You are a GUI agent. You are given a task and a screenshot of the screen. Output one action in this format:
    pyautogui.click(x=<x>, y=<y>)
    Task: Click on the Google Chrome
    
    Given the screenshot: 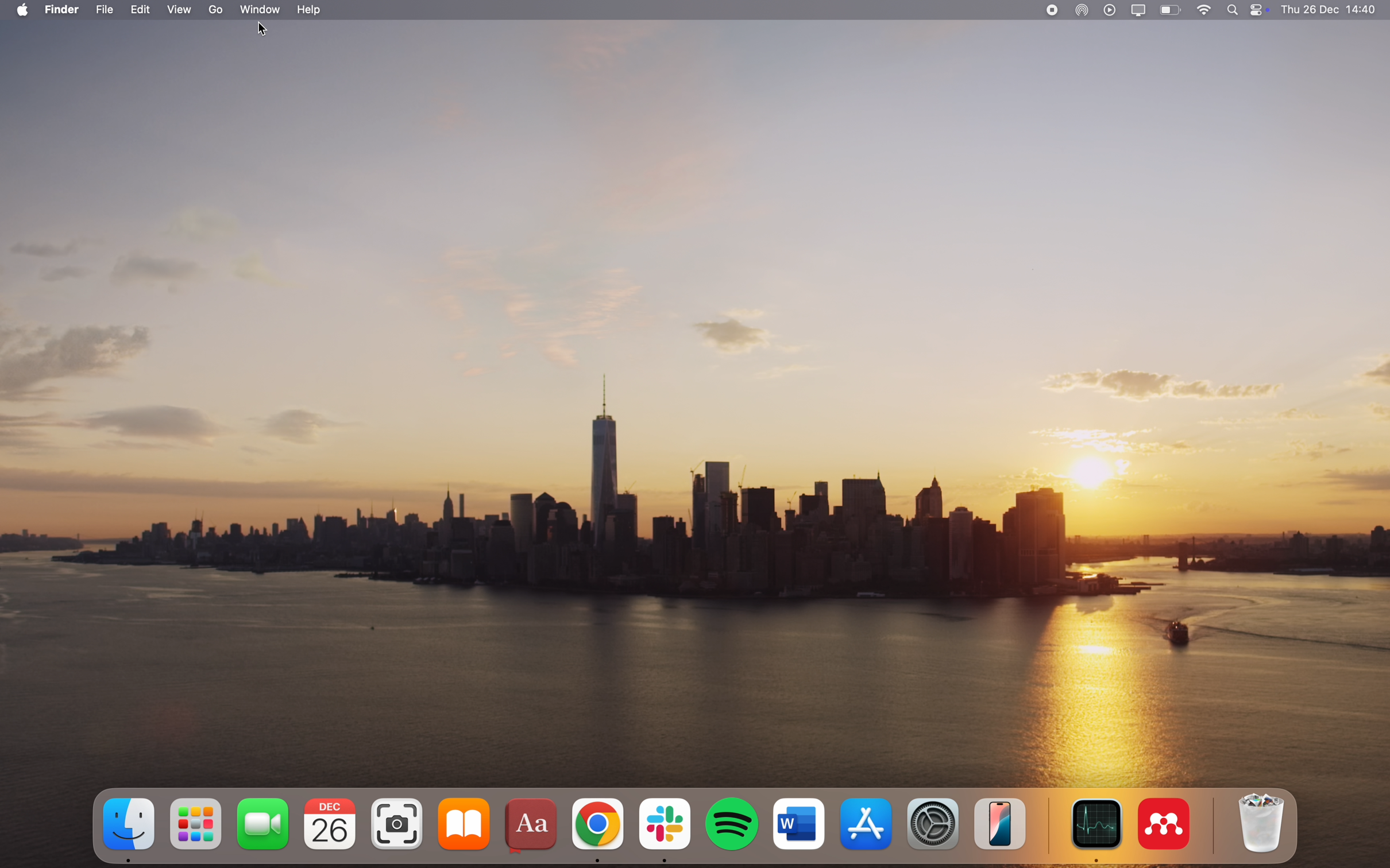 What is the action you would take?
    pyautogui.click(x=598, y=831)
    